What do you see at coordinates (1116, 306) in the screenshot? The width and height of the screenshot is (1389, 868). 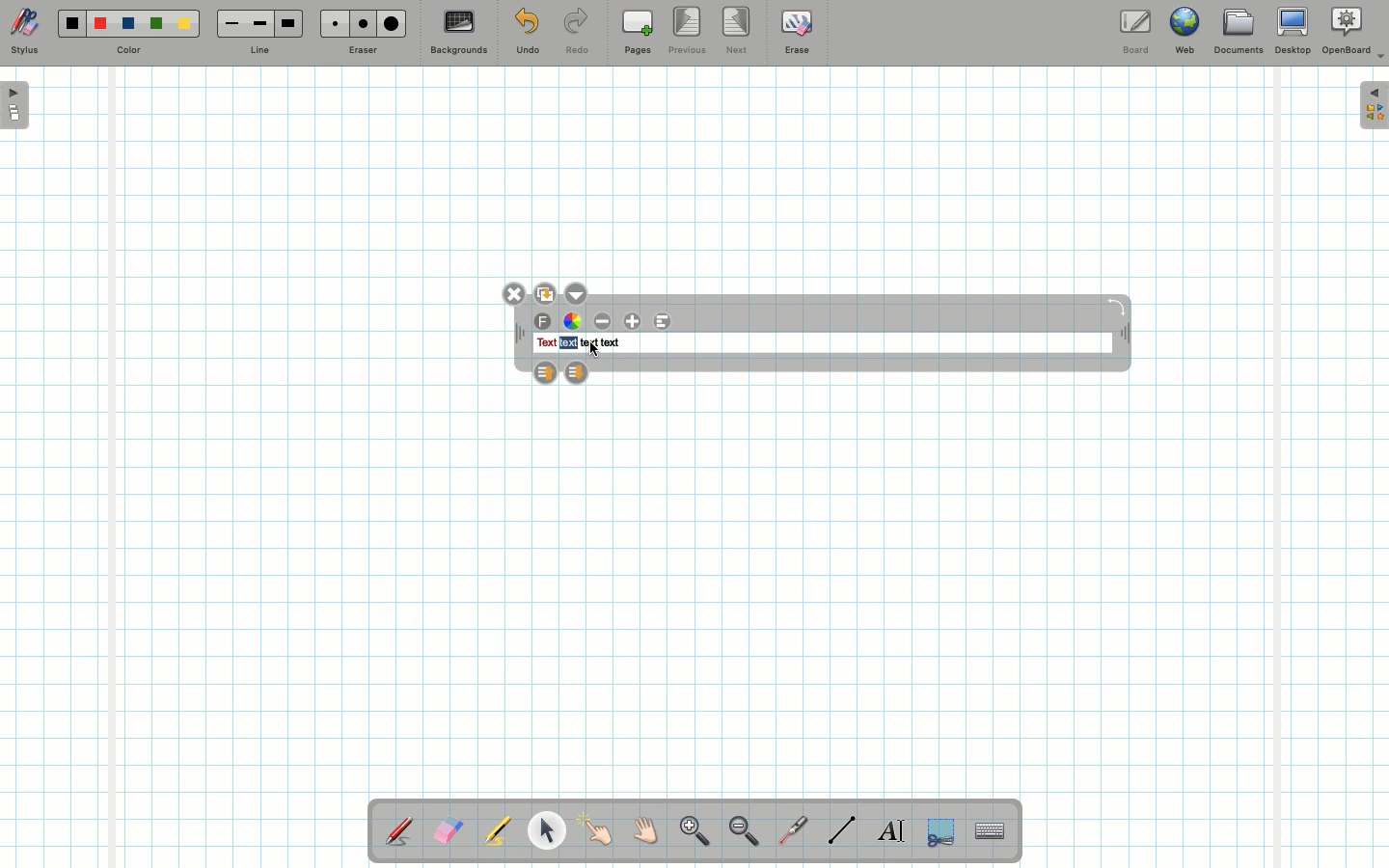 I see `Rotate` at bounding box center [1116, 306].